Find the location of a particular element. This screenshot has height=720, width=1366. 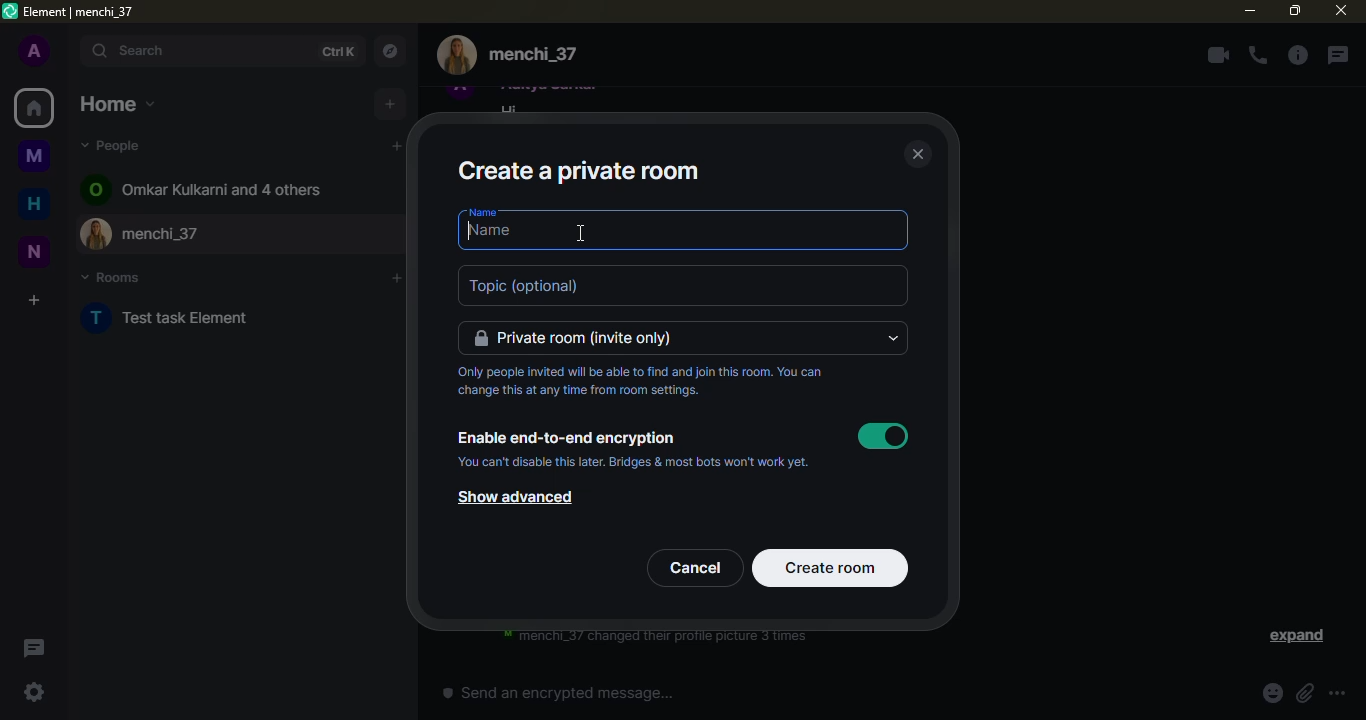

voice call is located at coordinates (1258, 55).